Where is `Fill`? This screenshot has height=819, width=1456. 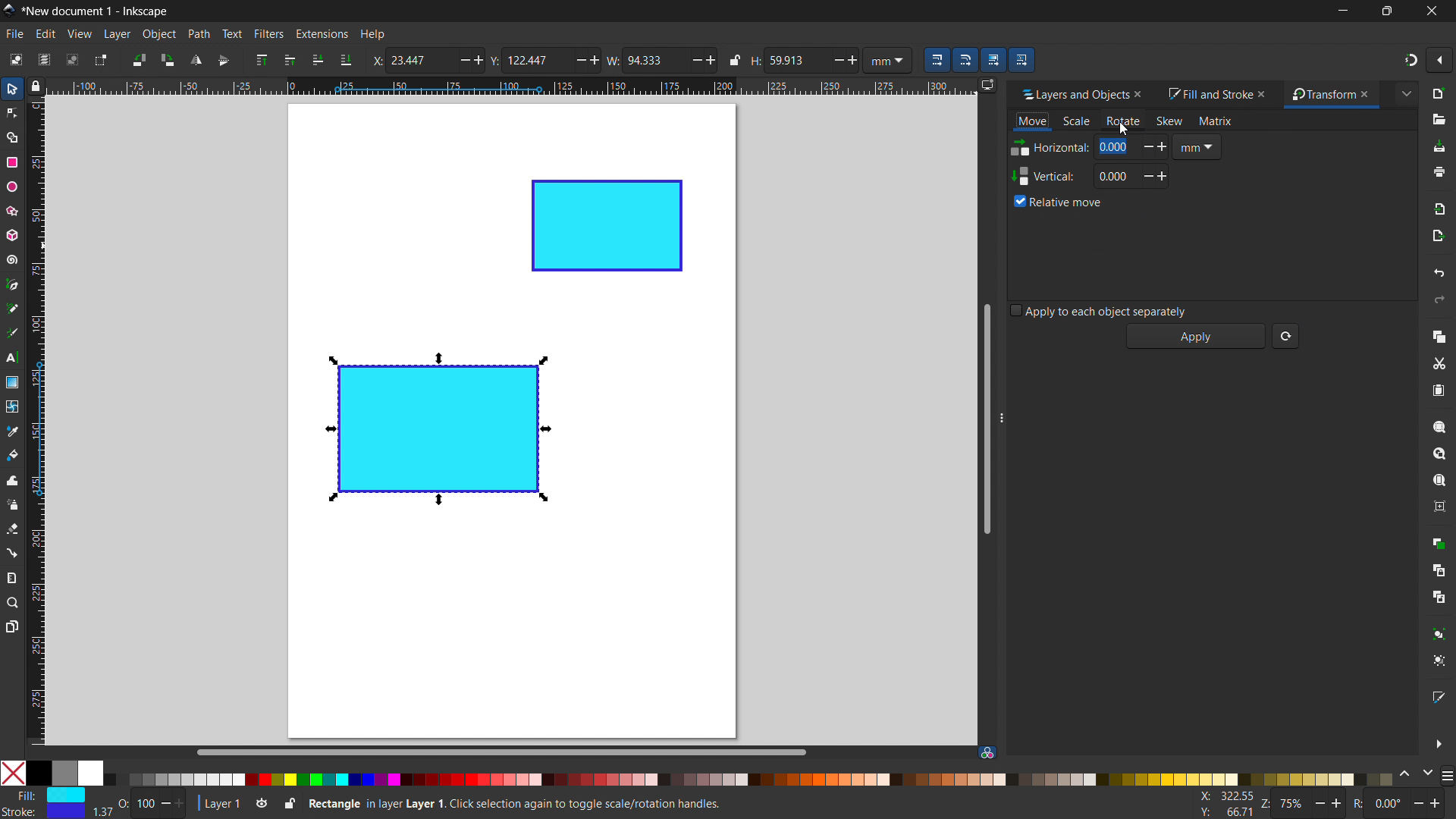
Fill is located at coordinates (46, 795).